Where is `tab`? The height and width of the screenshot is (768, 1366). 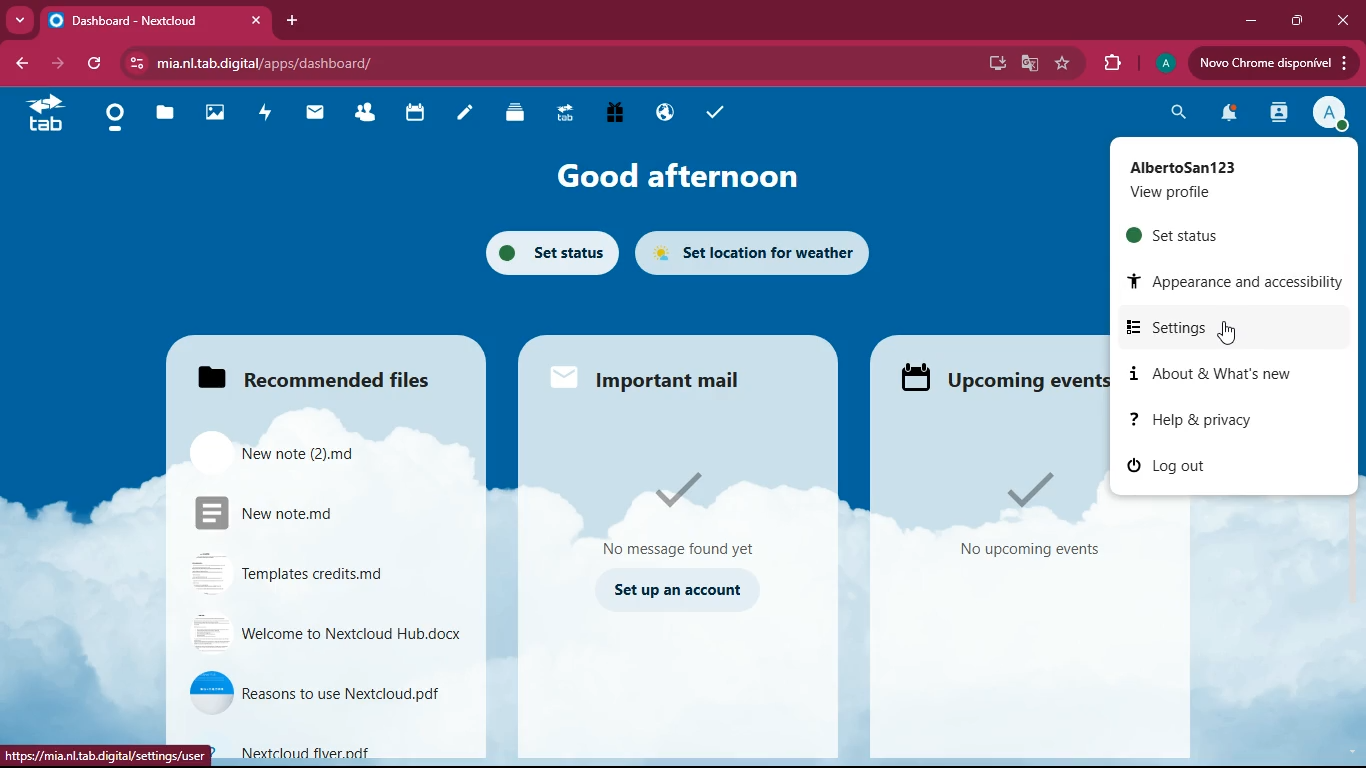 tab is located at coordinates (154, 18).